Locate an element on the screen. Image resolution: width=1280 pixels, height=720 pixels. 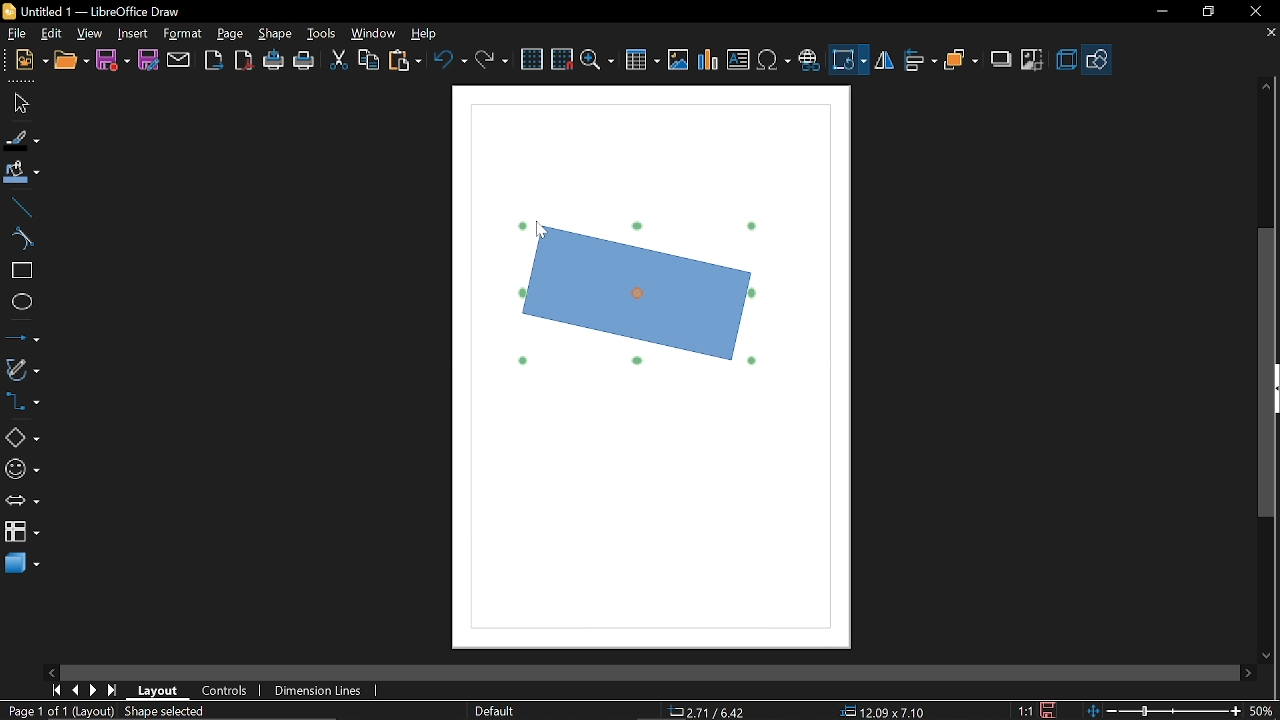
Go to first page  is located at coordinates (56, 690).